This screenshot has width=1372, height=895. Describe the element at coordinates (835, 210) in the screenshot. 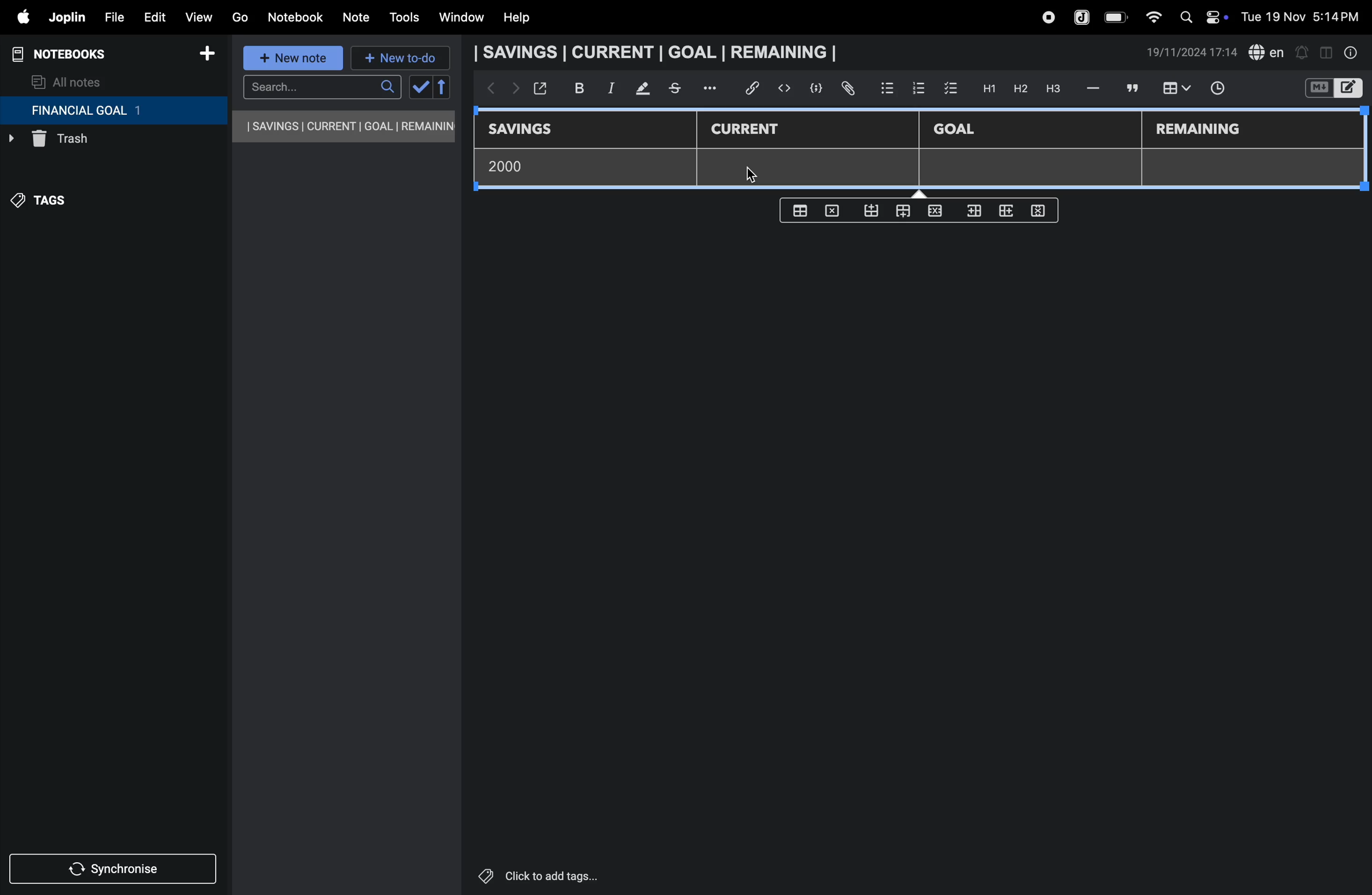

I see `delete` at that location.